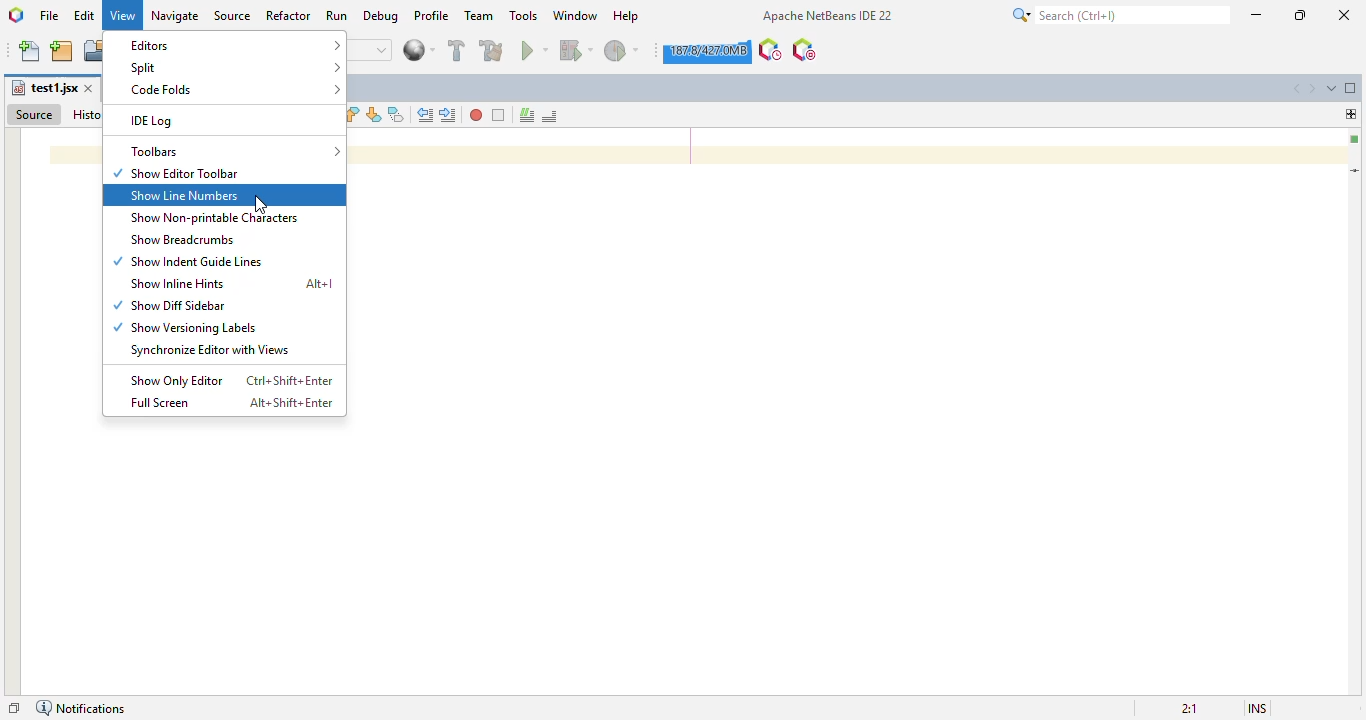 This screenshot has height=720, width=1366. What do you see at coordinates (82, 708) in the screenshot?
I see `notifications` at bounding box center [82, 708].